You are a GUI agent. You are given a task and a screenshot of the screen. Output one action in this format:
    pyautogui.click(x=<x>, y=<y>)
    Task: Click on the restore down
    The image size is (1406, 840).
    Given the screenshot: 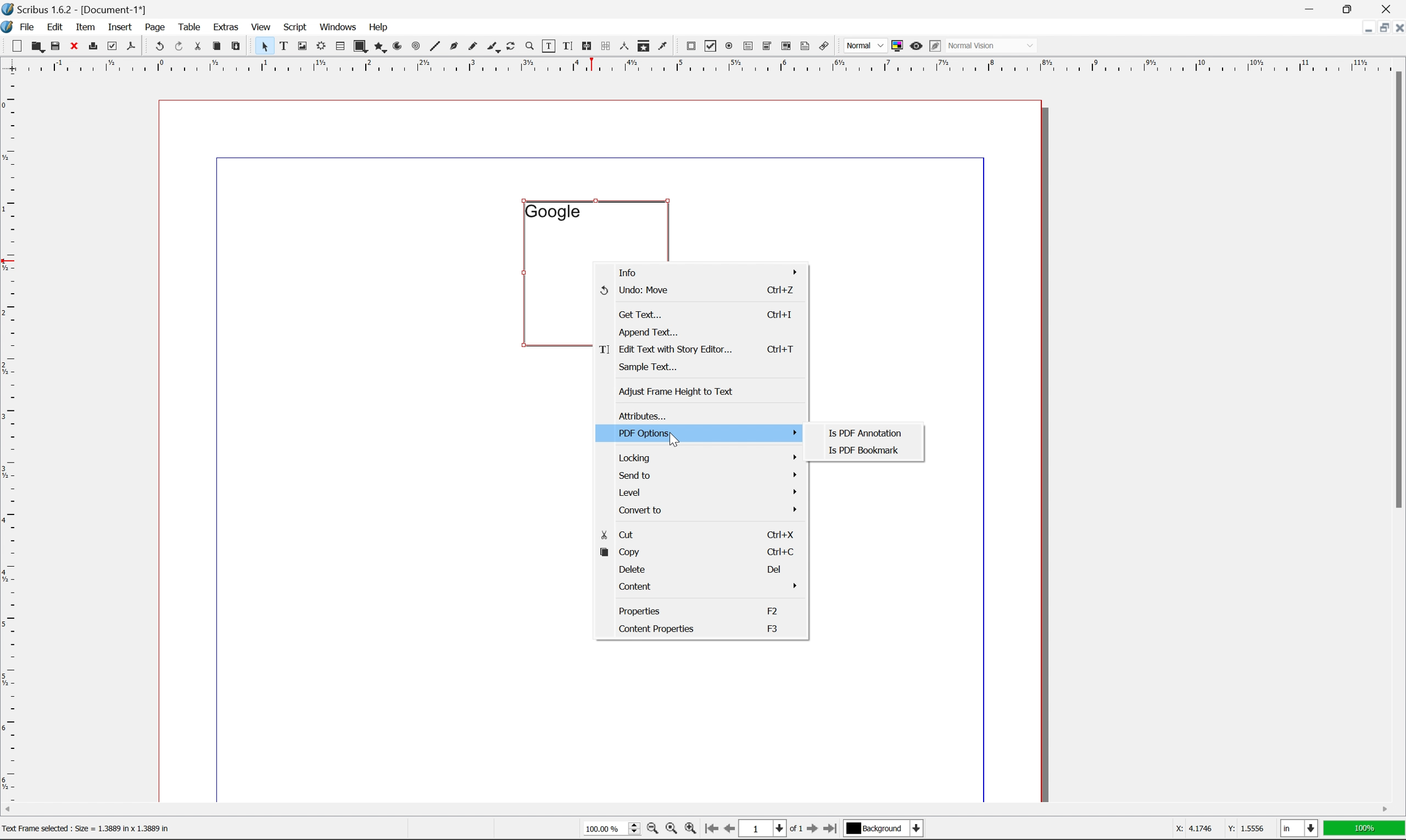 What is the action you would take?
    pyautogui.click(x=1351, y=8)
    